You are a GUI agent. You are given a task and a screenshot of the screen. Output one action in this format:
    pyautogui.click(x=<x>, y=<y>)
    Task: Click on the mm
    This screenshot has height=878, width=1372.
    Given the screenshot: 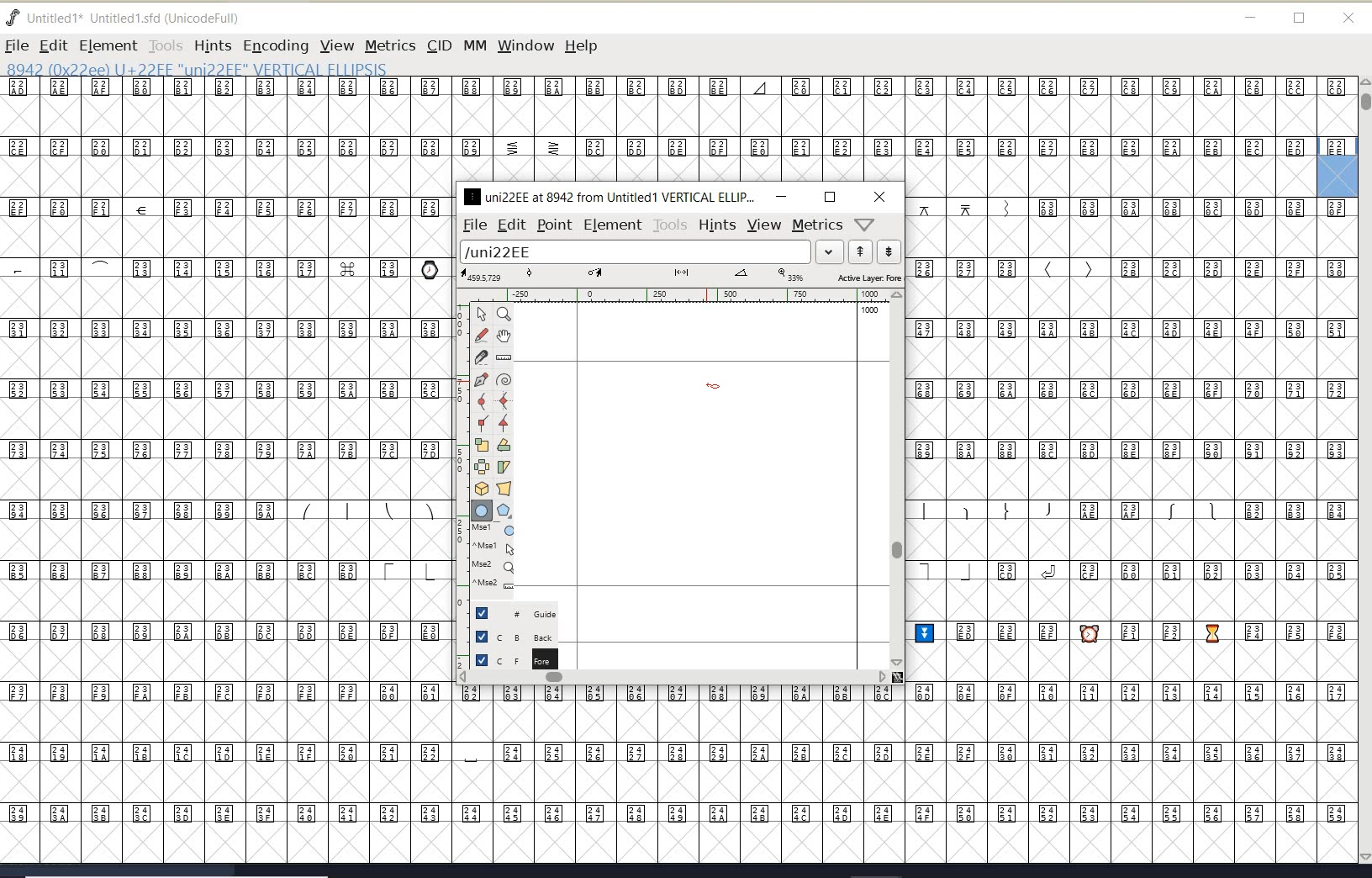 What is the action you would take?
    pyautogui.click(x=473, y=43)
    